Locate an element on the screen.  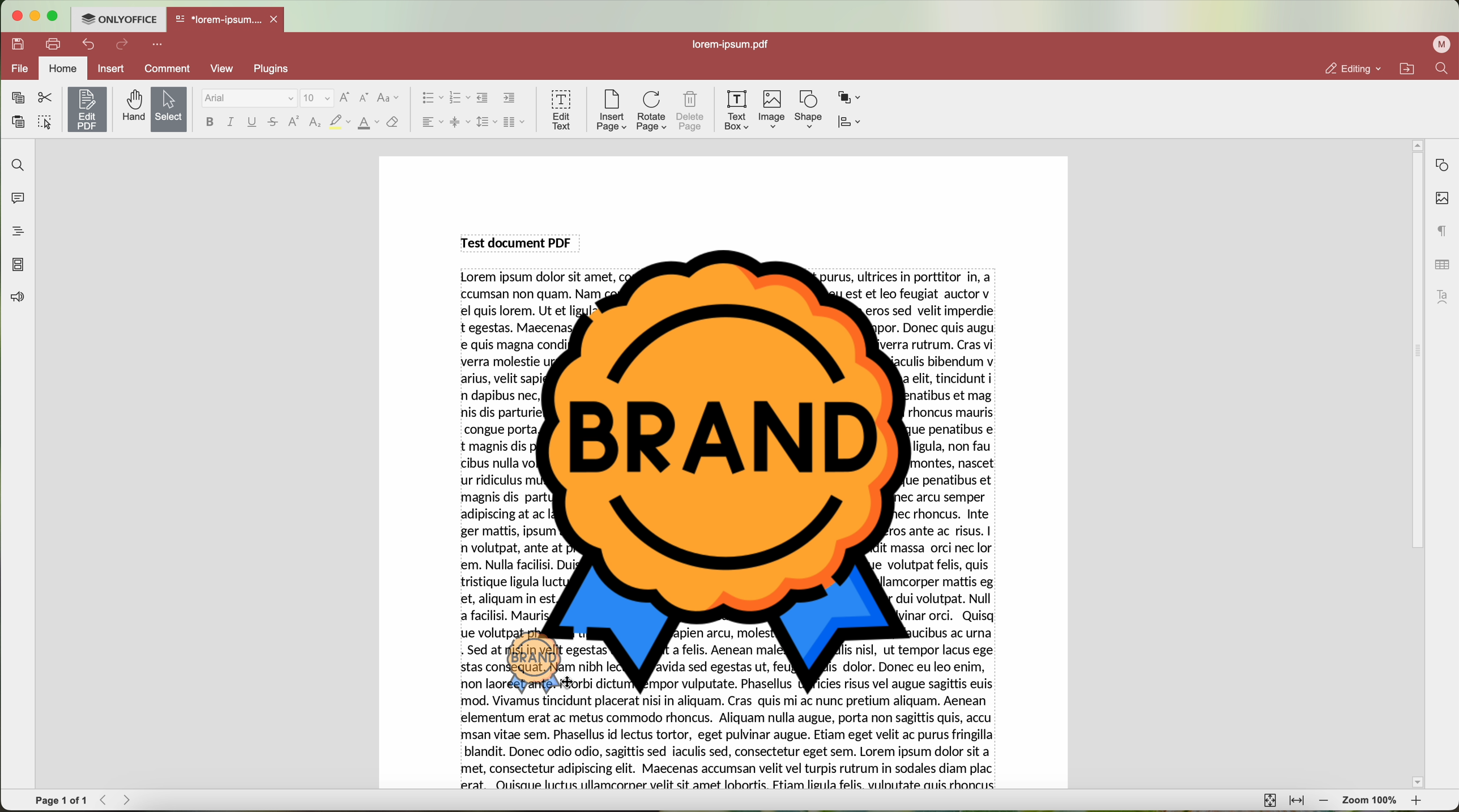
increase indent is located at coordinates (510, 97).